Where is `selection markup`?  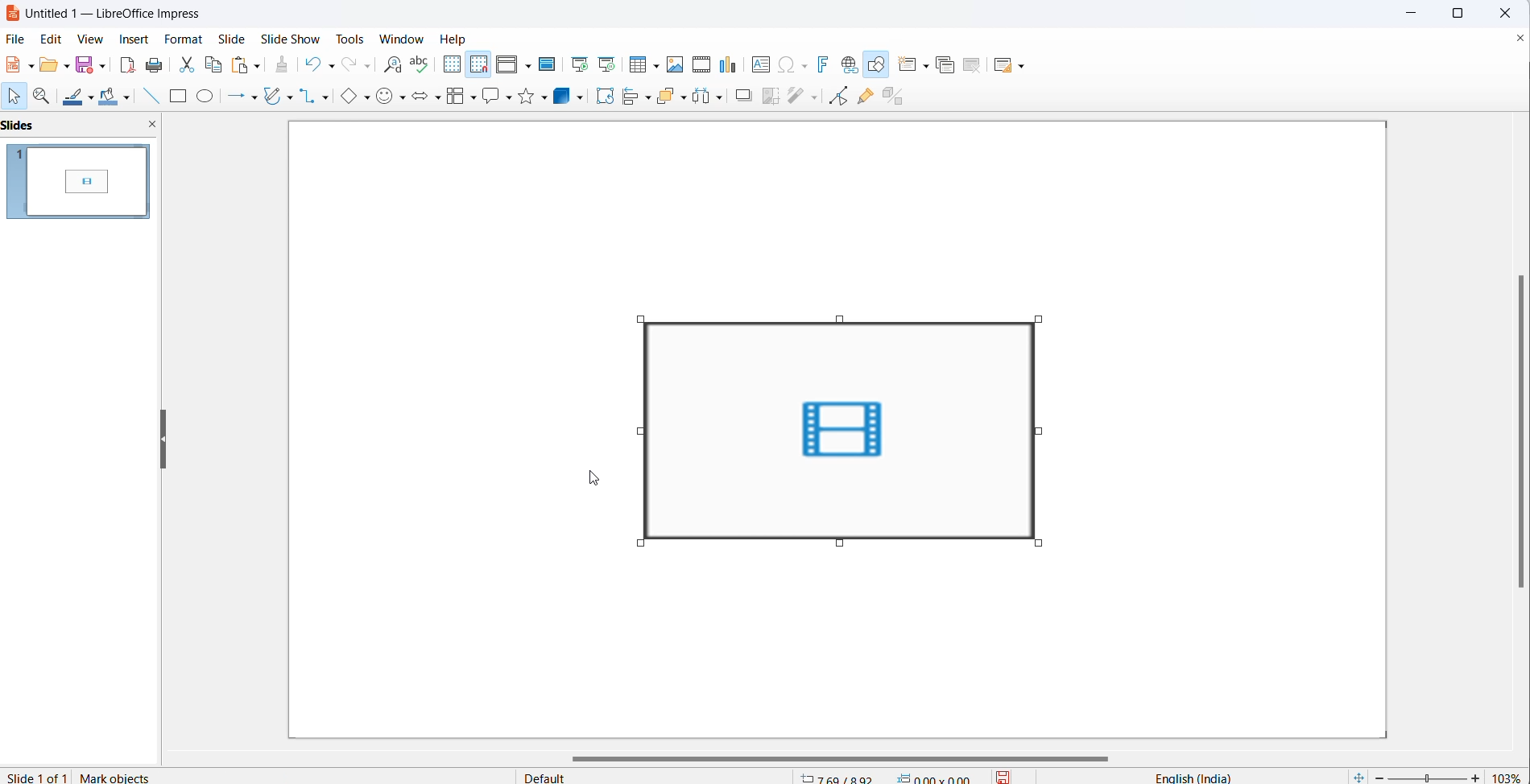 selection markup is located at coordinates (1036, 318).